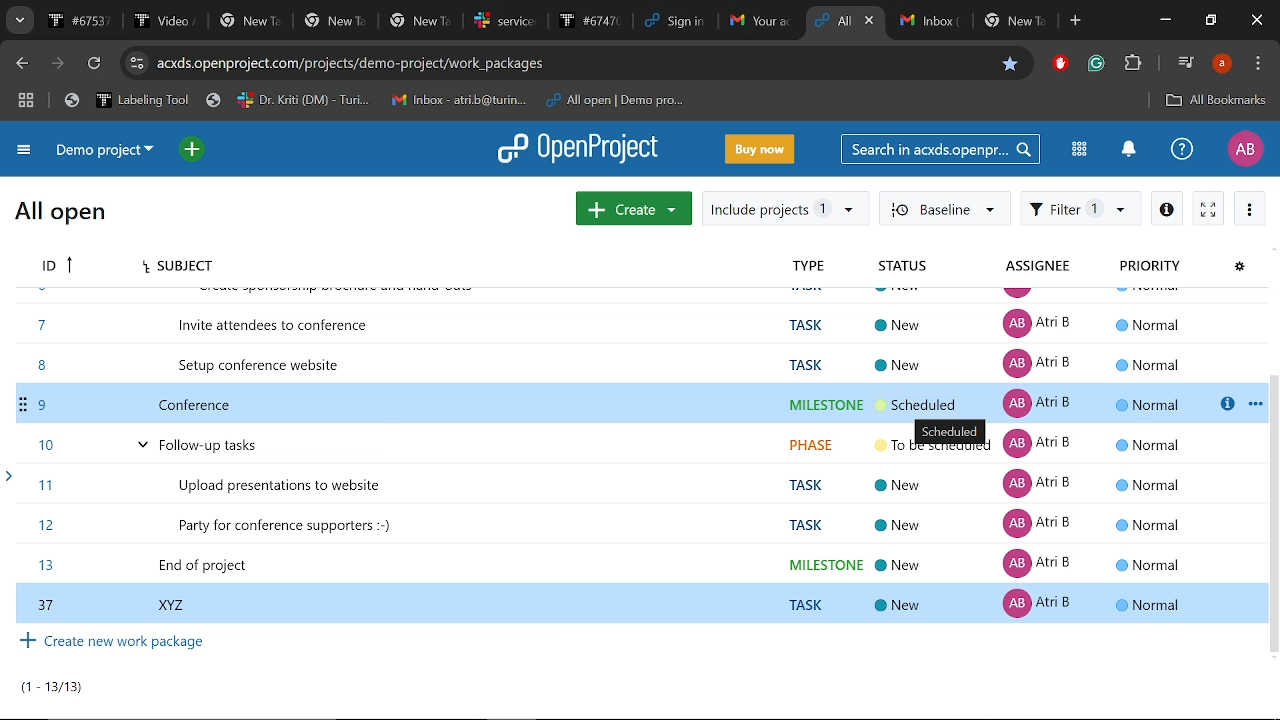  I want to click on Pages, so click(62, 687).